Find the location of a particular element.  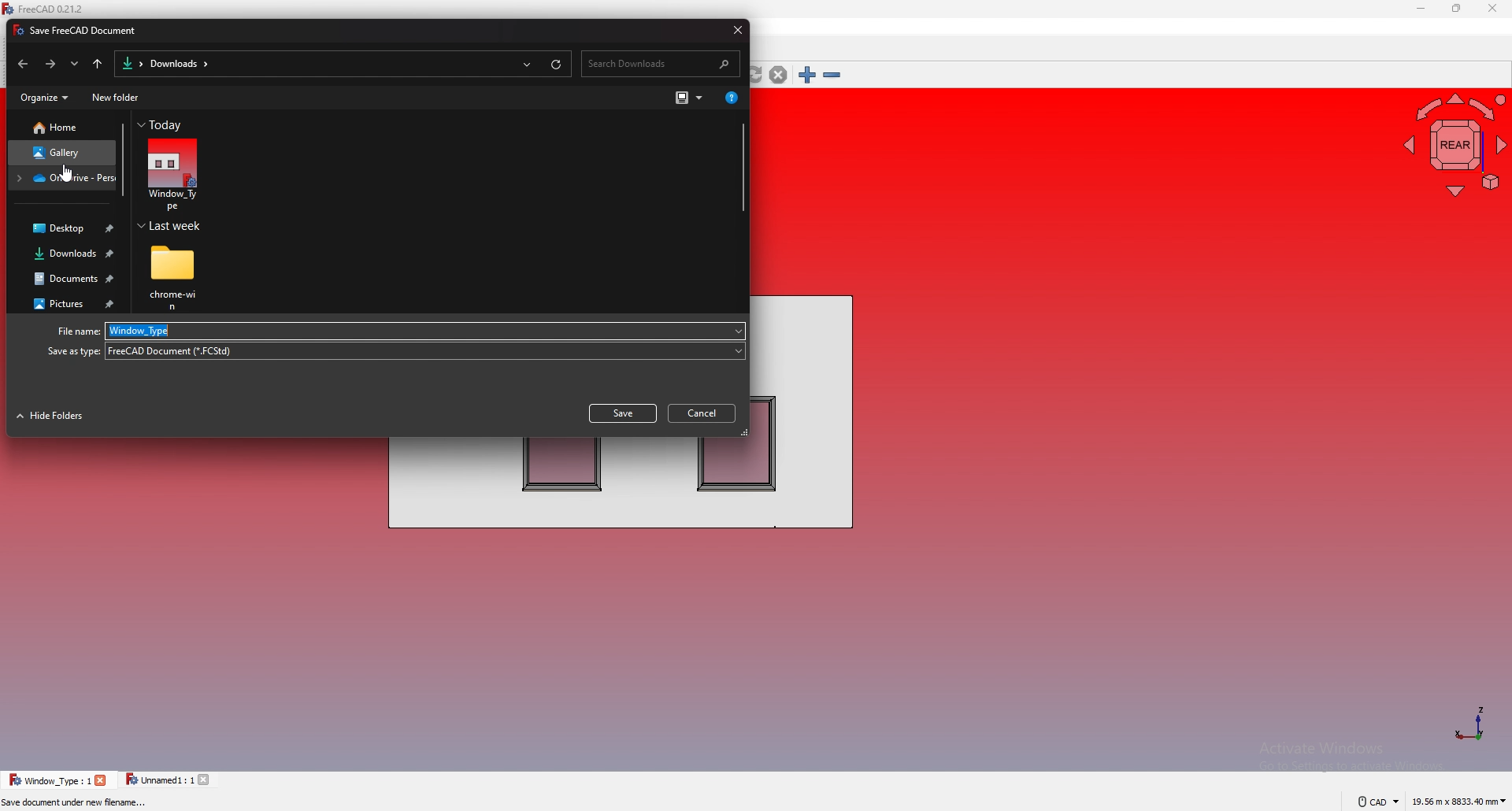

gallery is located at coordinates (62, 153).